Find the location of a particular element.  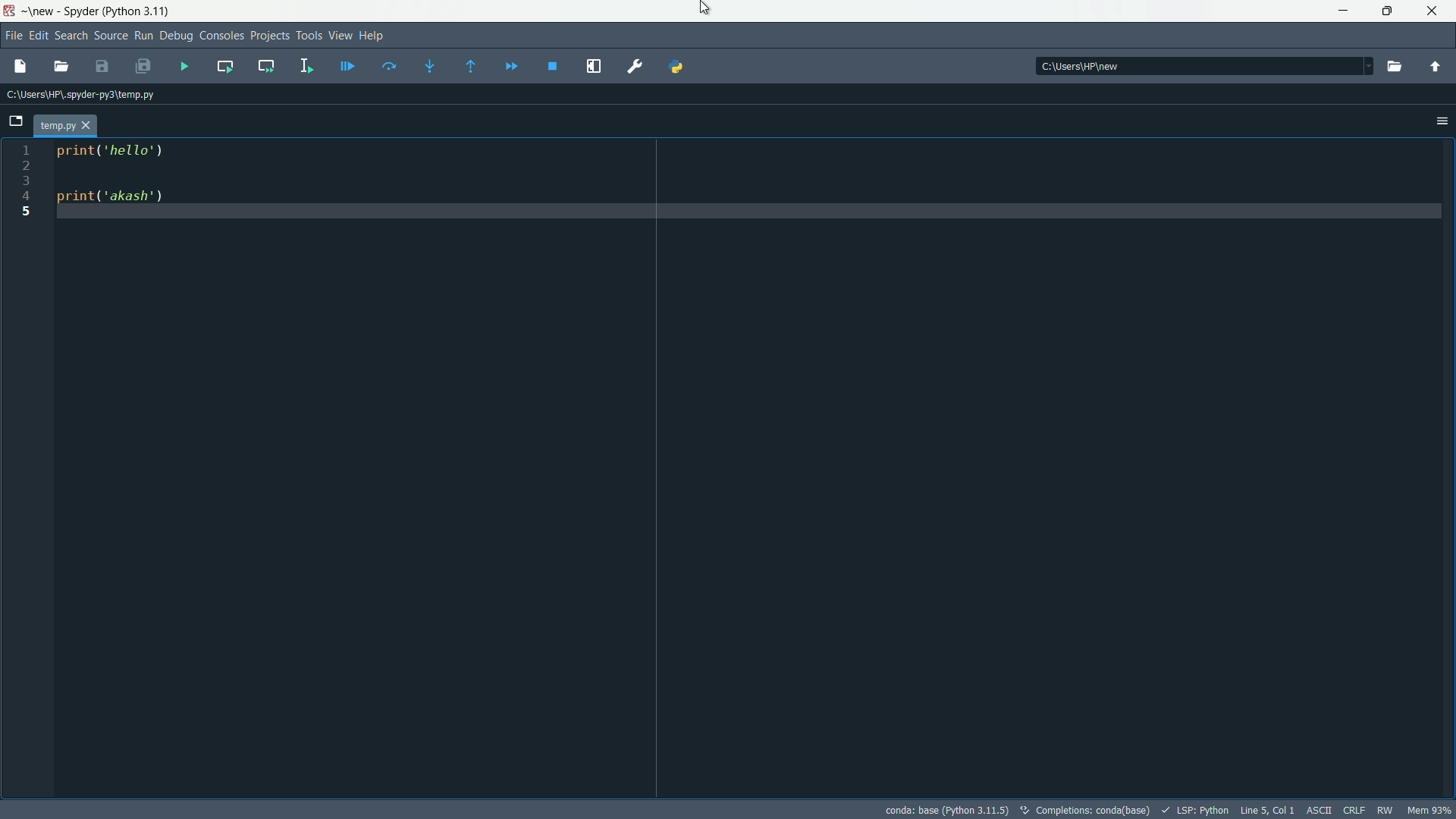

maximize is located at coordinates (1389, 12).